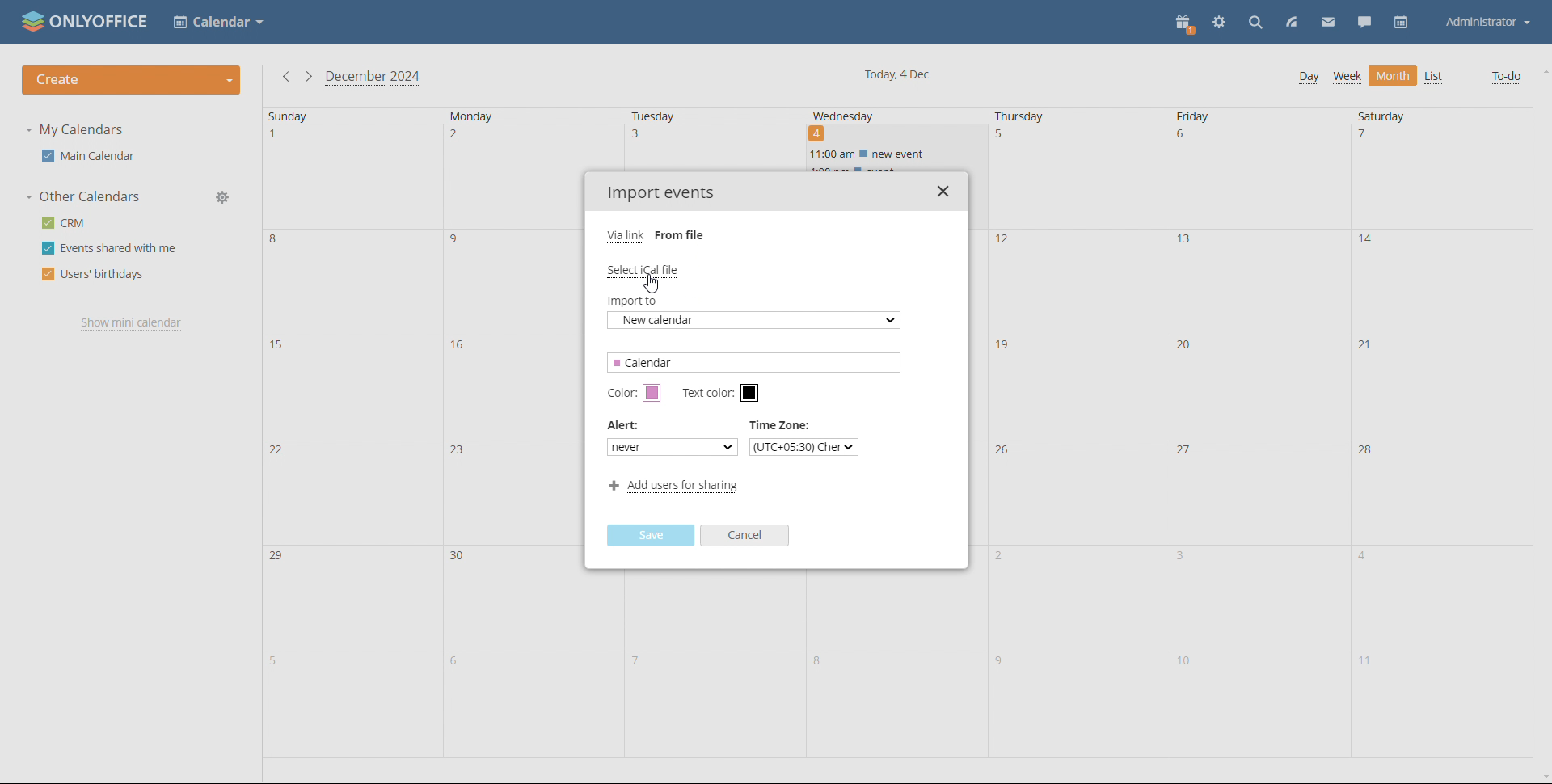 The width and height of the screenshot is (1552, 784). I want to click on import to, so click(639, 302).